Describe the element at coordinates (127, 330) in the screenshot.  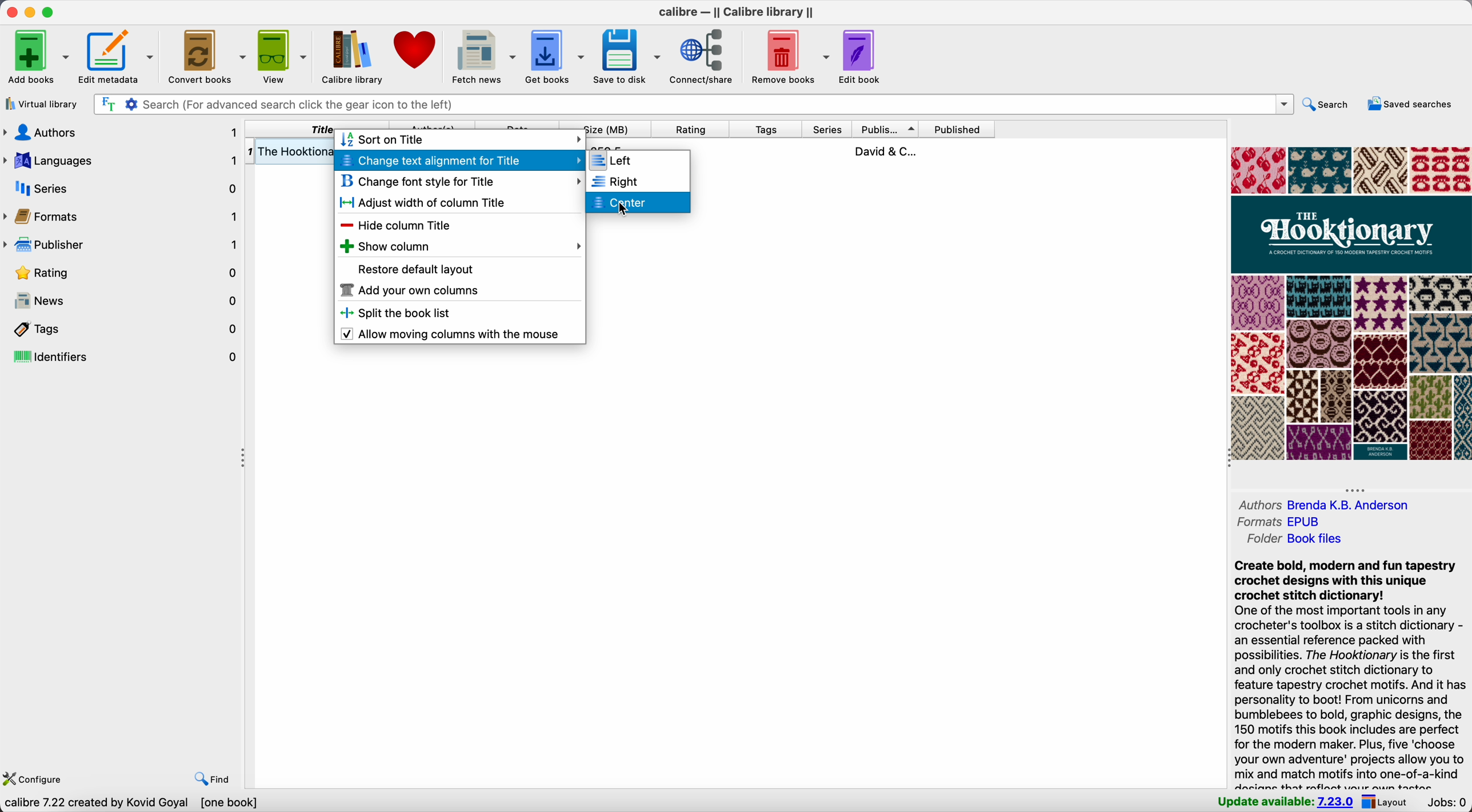
I see `tags` at that location.